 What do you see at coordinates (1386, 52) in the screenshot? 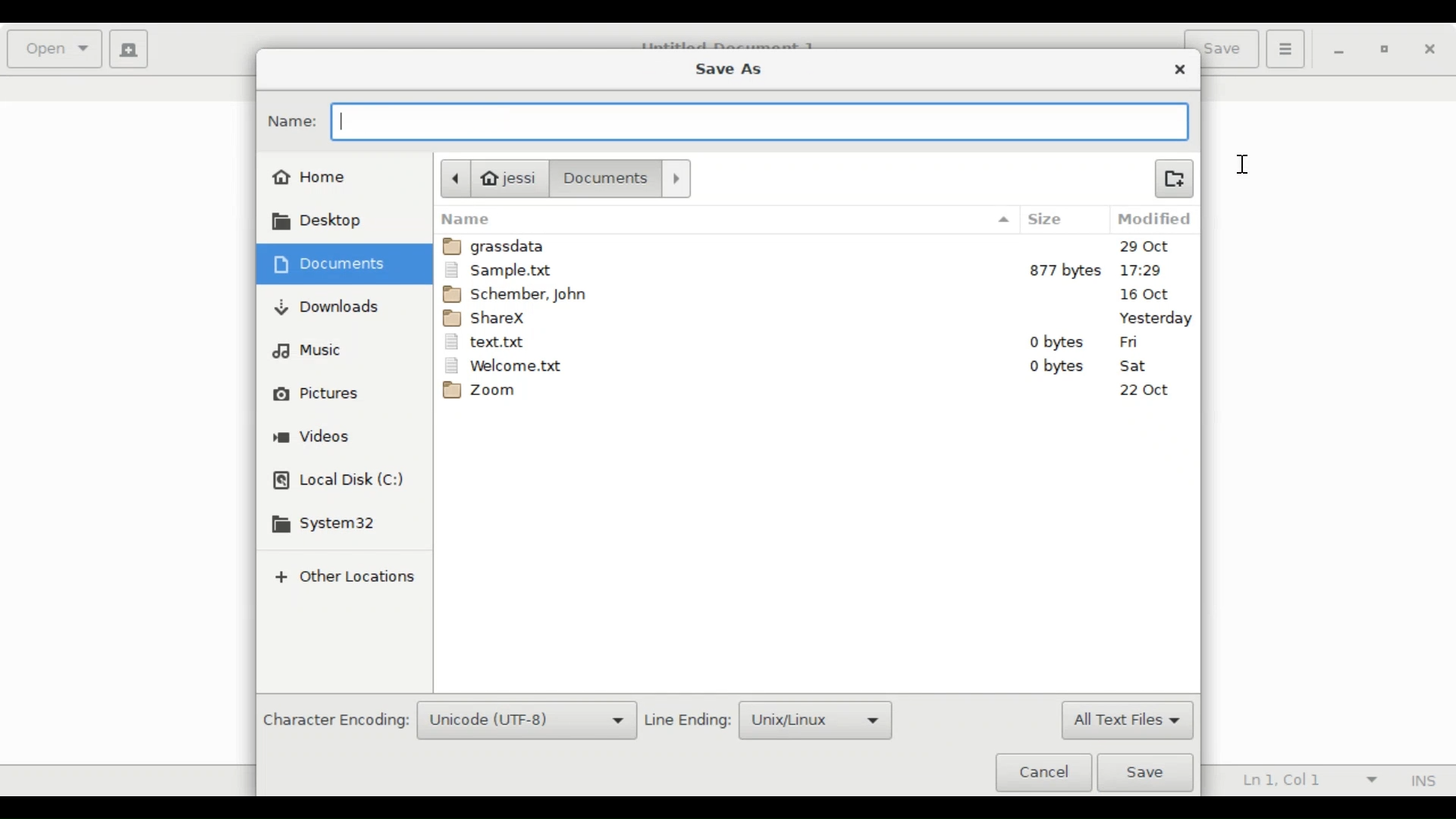
I see `Restore` at bounding box center [1386, 52].